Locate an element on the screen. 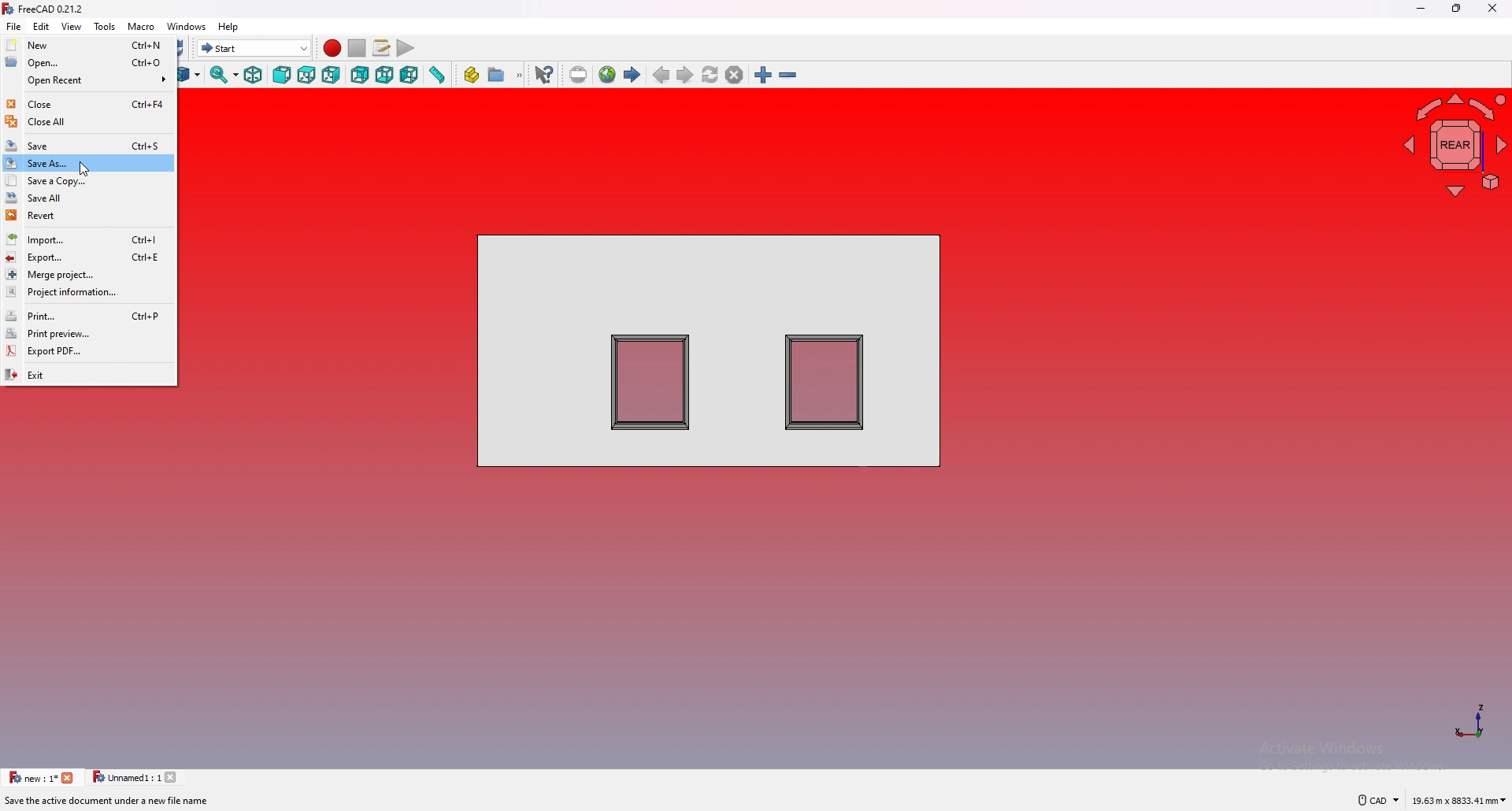 The width and height of the screenshot is (1512, 811). first page is located at coordinates (632, 75).